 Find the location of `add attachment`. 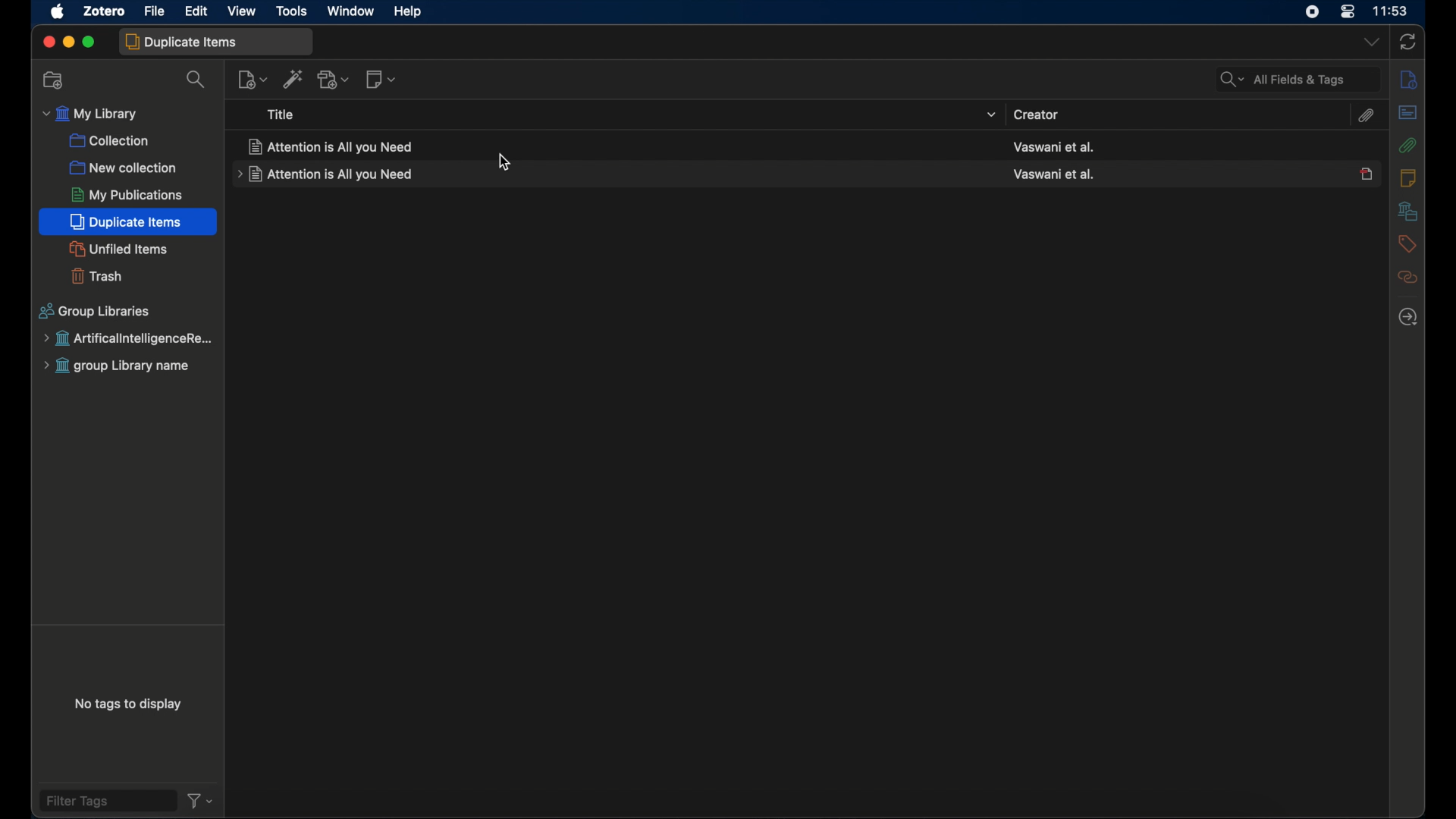

add attachment is located at coordinates (334, 79).